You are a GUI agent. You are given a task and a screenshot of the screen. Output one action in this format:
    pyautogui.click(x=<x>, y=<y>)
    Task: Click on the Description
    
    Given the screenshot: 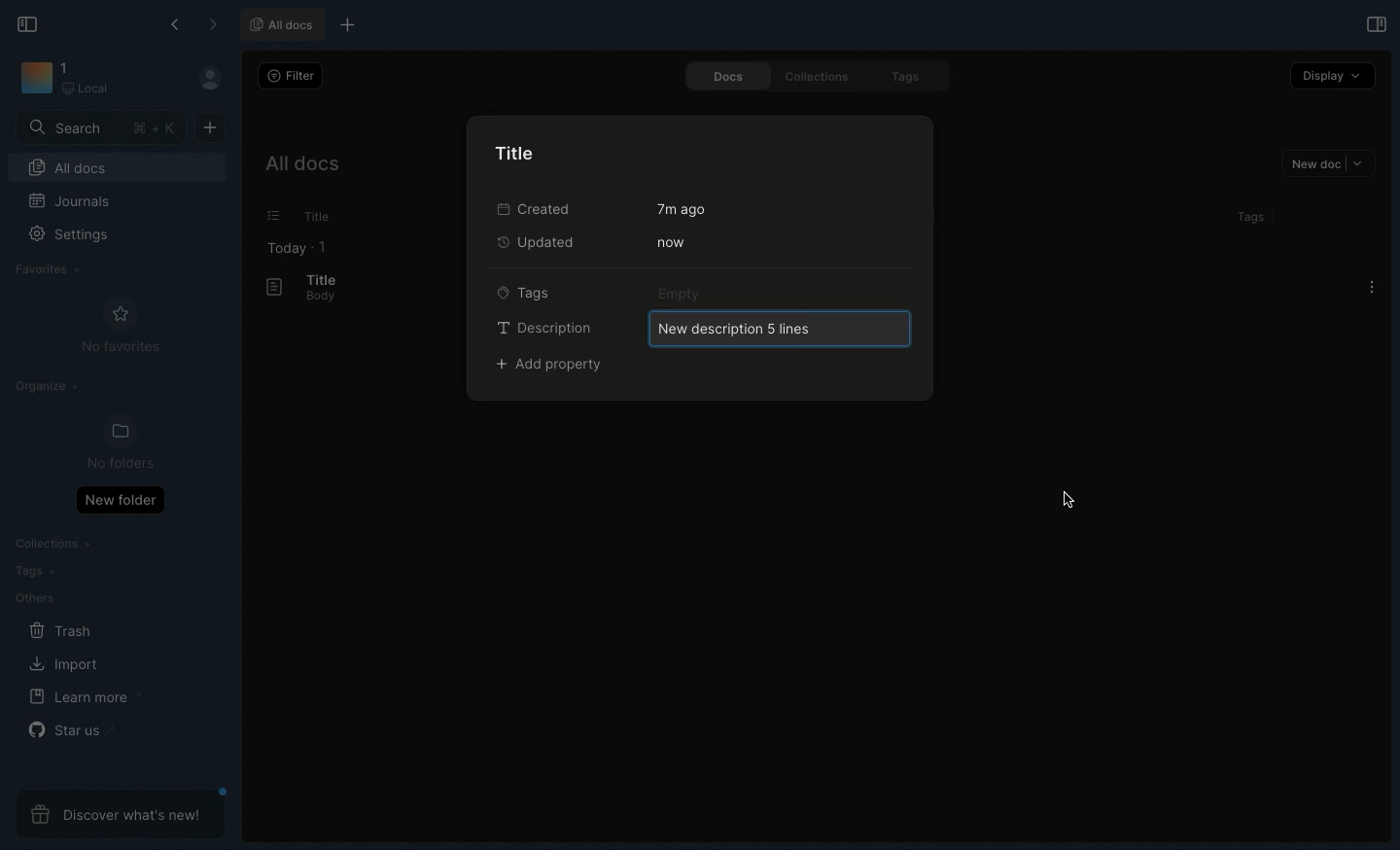 What is the action you would take?
    pyautogui.click(x=544, y=327)
    